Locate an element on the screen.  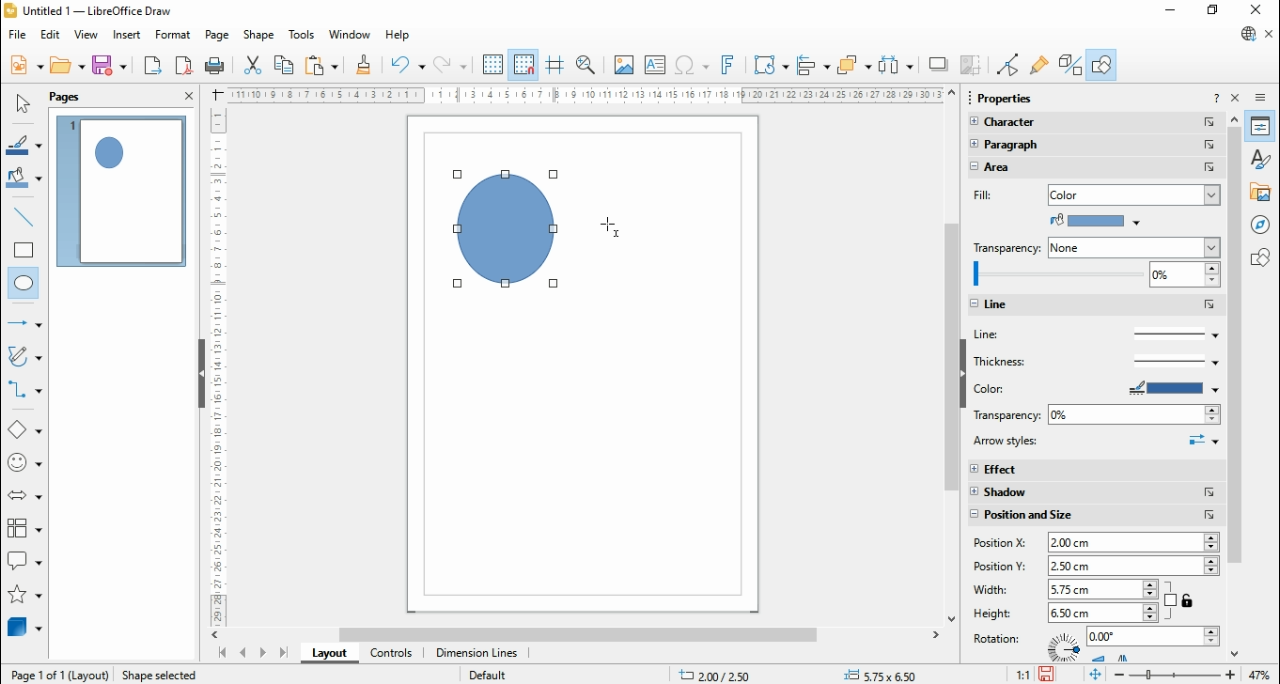
stars and banners  is located at coordinates (23, 596).